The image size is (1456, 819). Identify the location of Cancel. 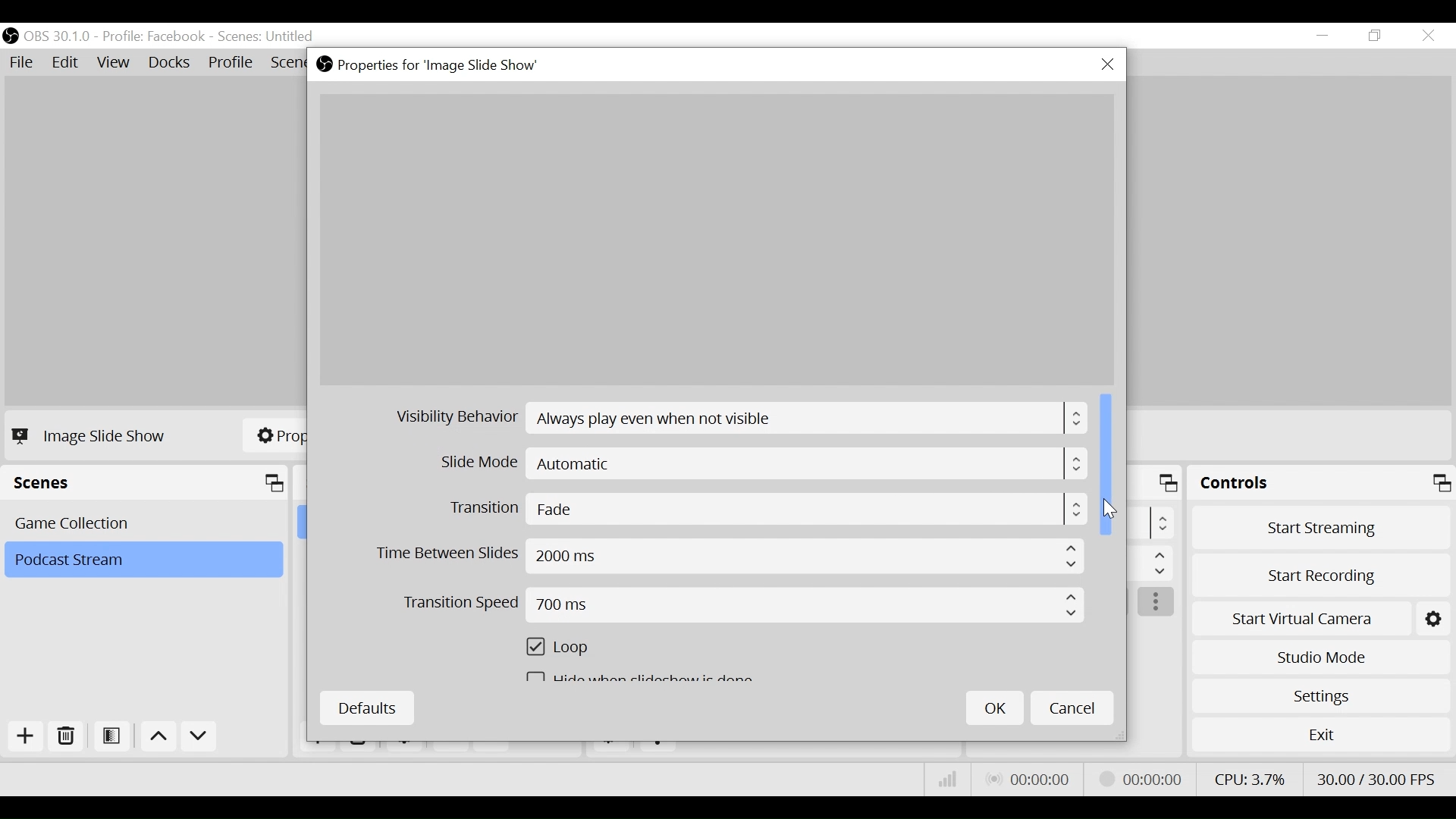
(1072, 707).